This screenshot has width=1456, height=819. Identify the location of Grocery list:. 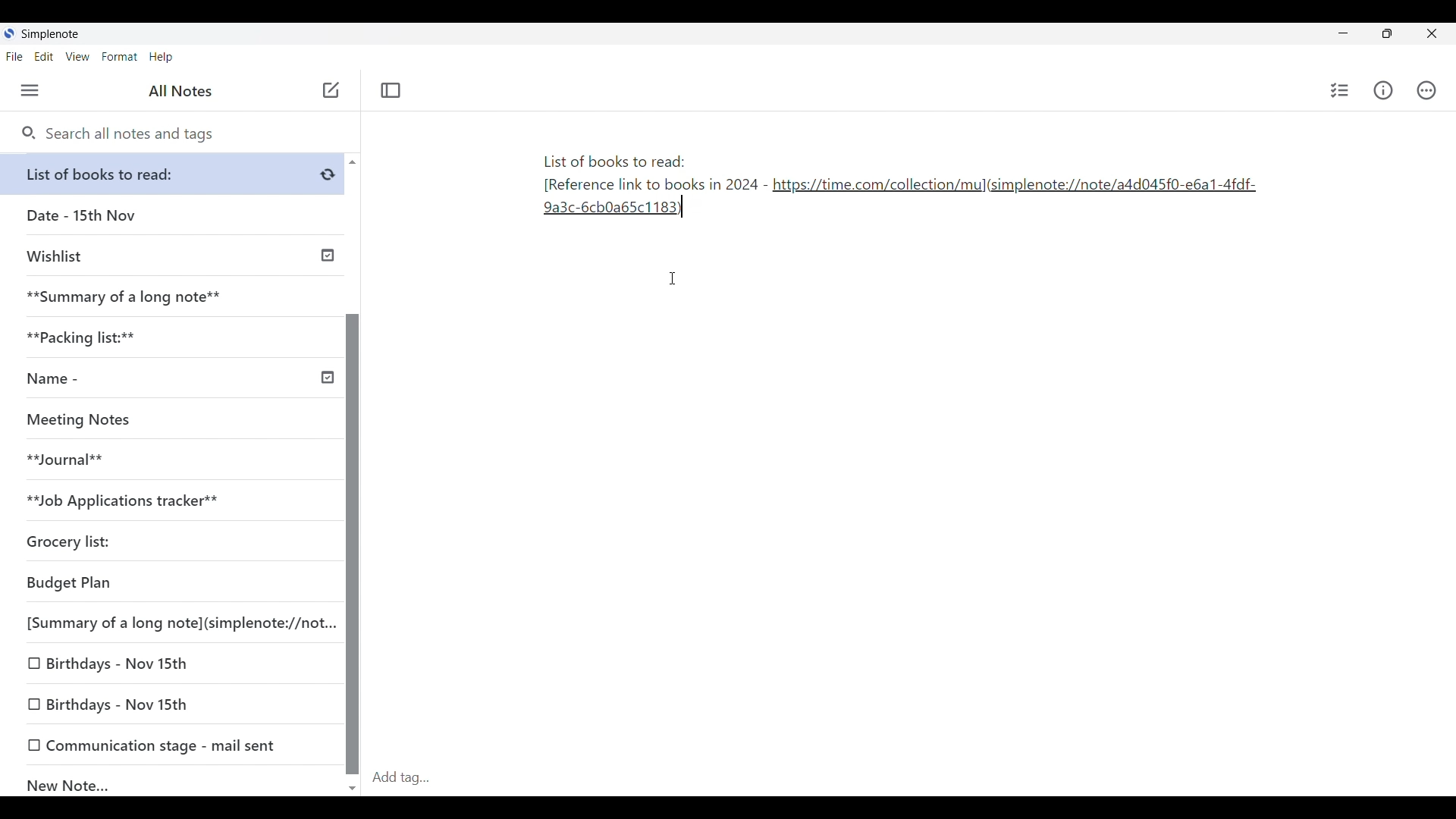
(167, 544).